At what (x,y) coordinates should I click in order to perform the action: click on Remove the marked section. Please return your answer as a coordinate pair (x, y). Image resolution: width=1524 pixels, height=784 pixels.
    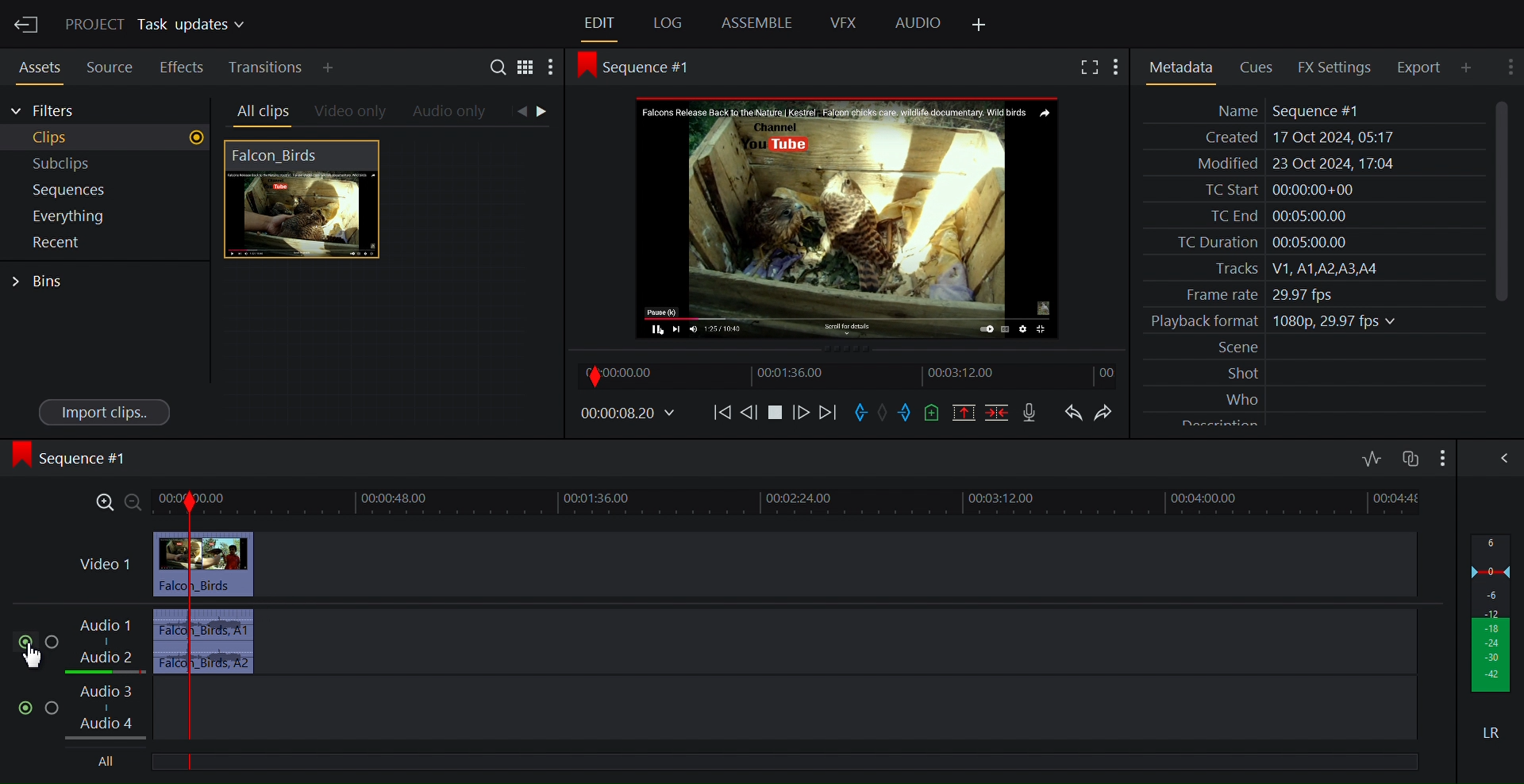
    Looking at the image, I should click on (963, 413).